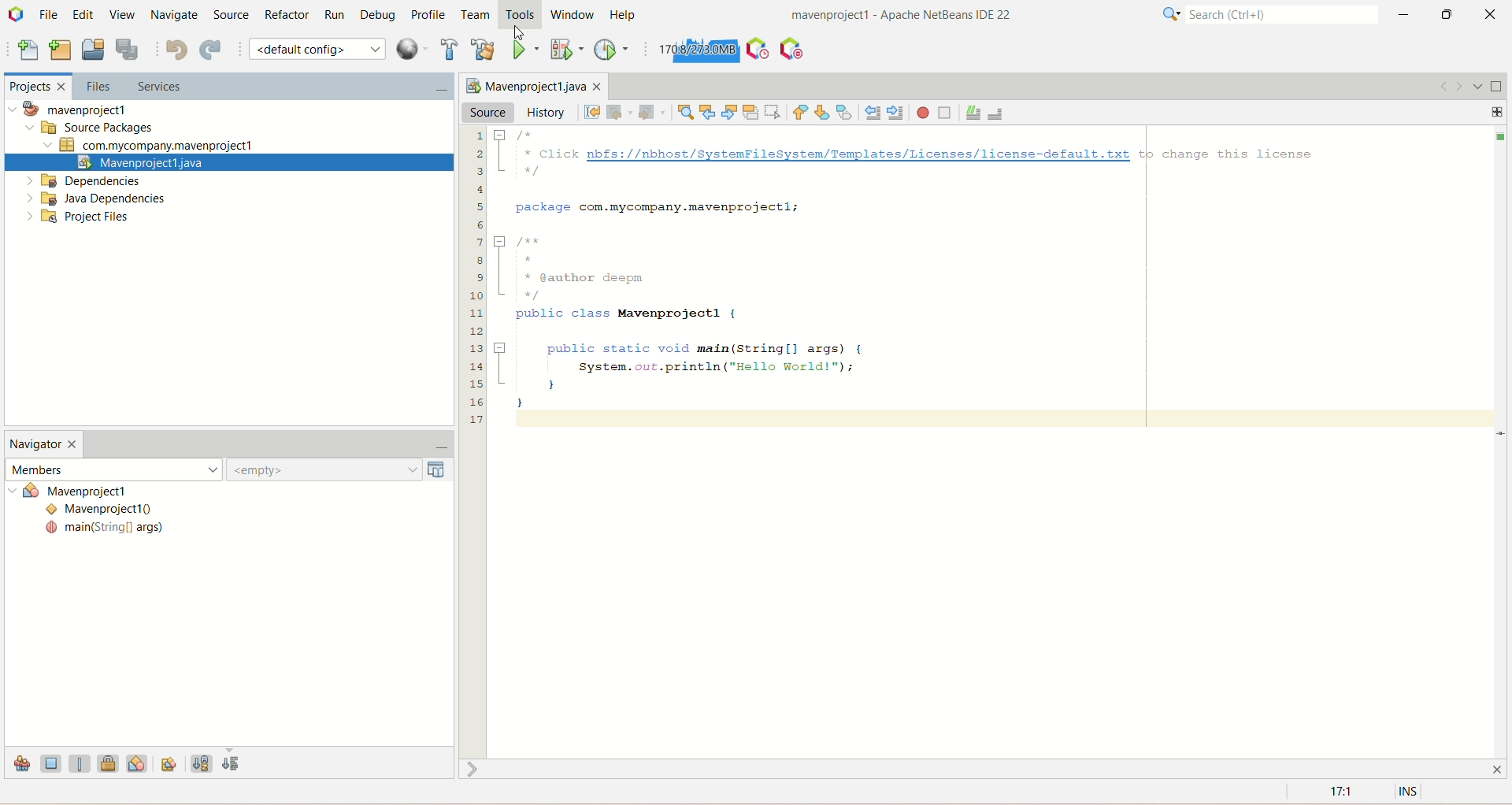  Describe the element at coordinates (80, 218) in the screenshot. I see `project files` at that location.